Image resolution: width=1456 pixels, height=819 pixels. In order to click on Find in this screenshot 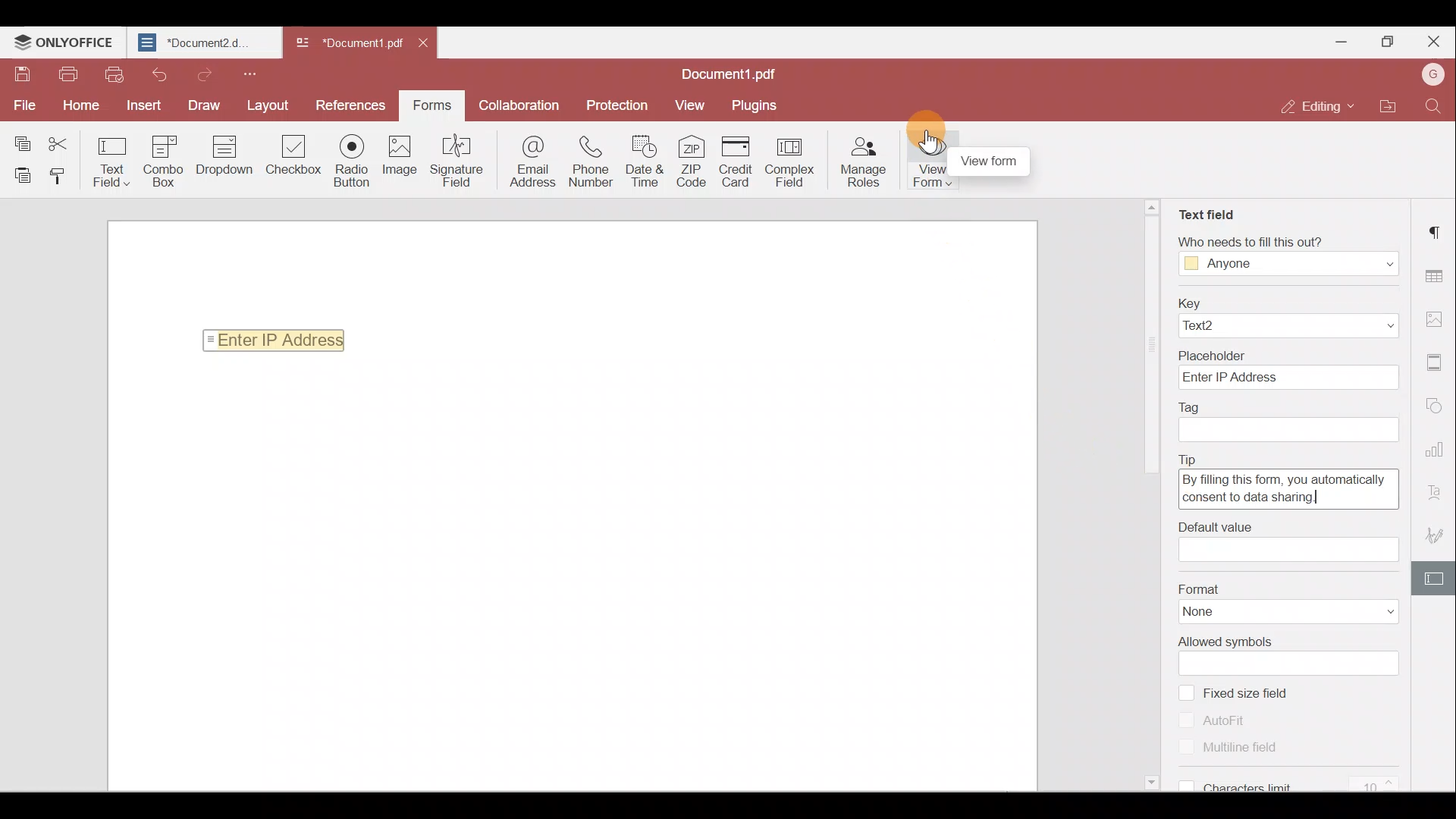, I will do `click(1432, 108)`.